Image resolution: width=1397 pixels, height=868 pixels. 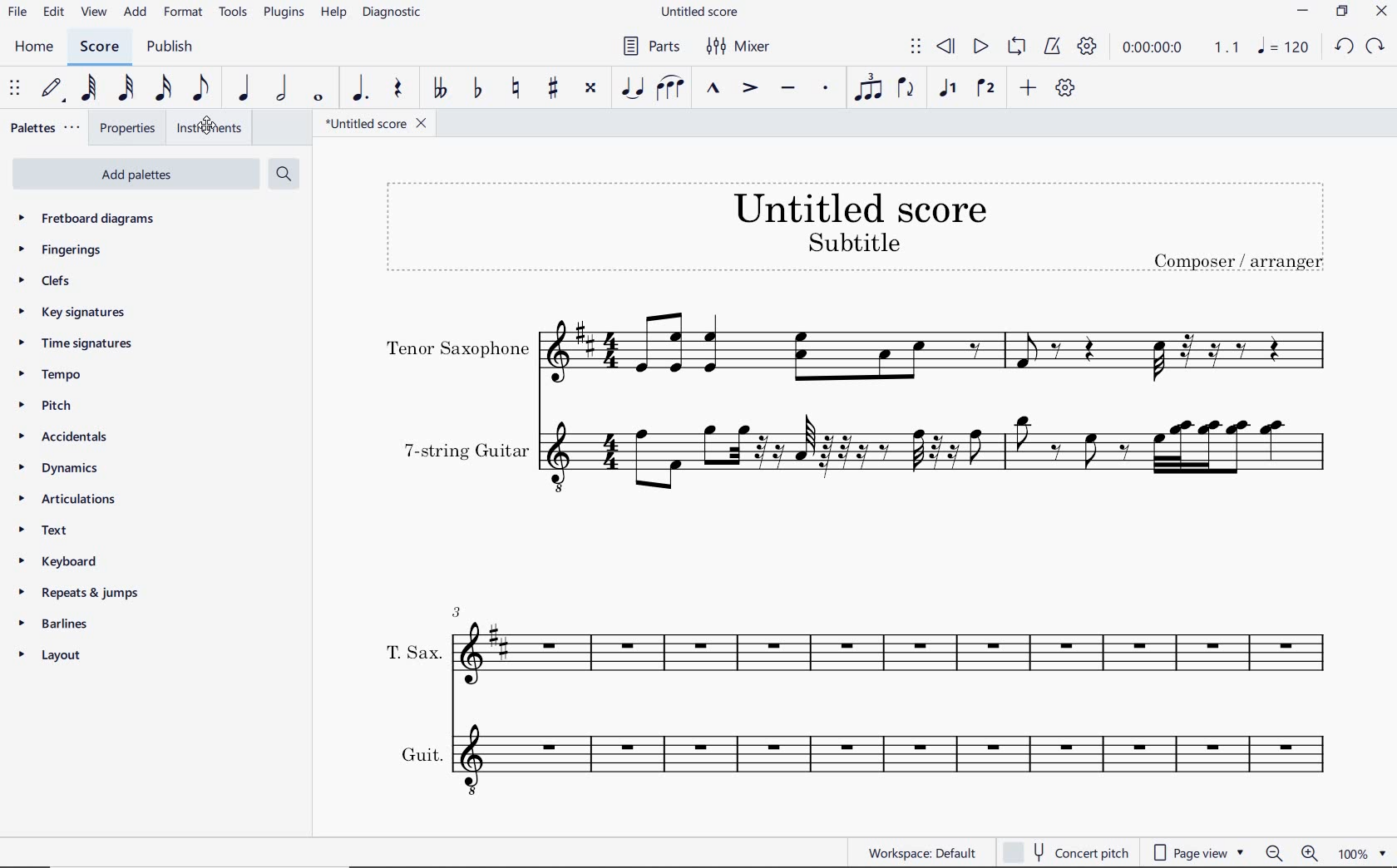 I want to click on REPEATS & JUMPS, so click(x=78, y=594).